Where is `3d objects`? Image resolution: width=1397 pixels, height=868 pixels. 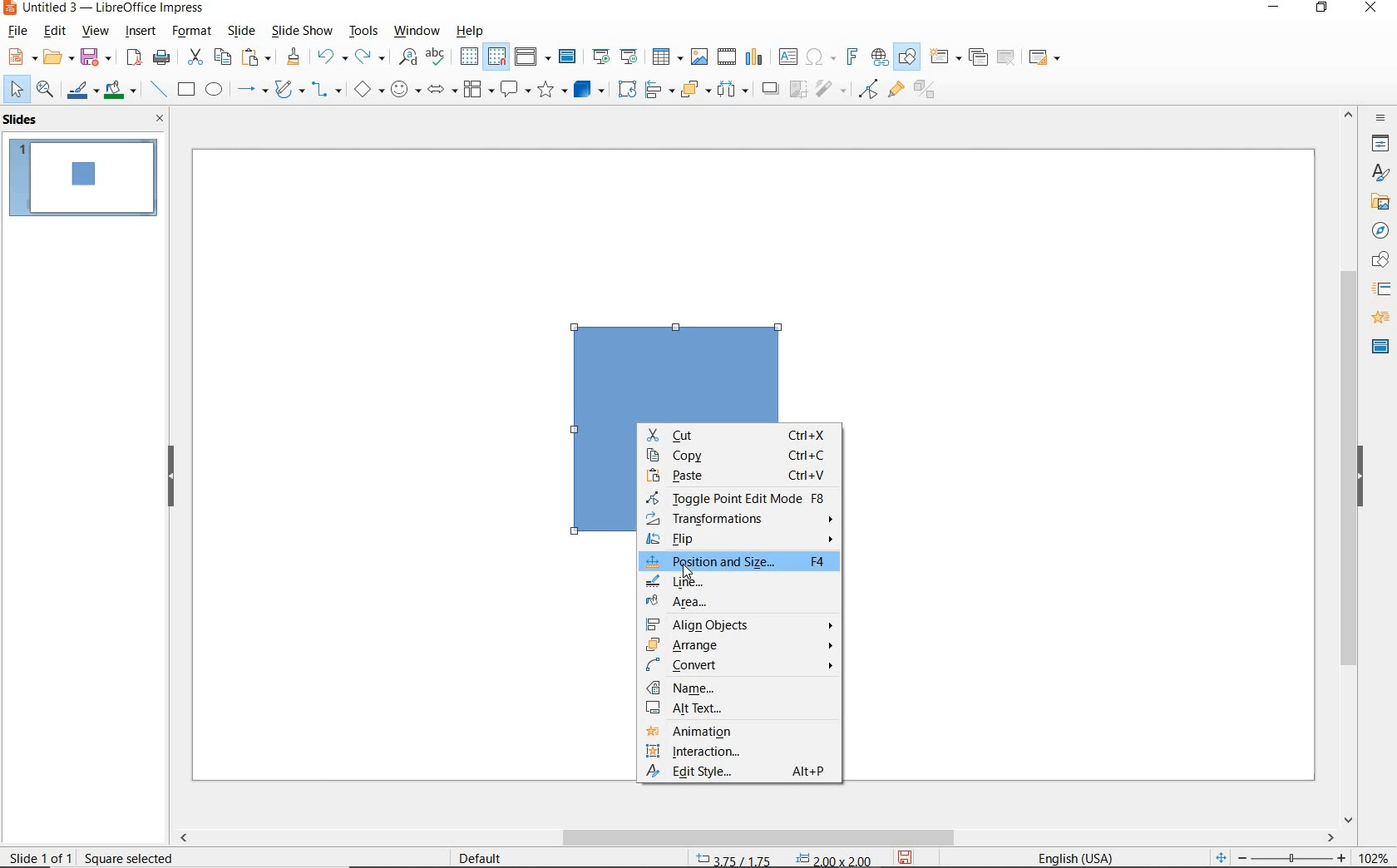 3d objects is located at coordinates (589, 88).